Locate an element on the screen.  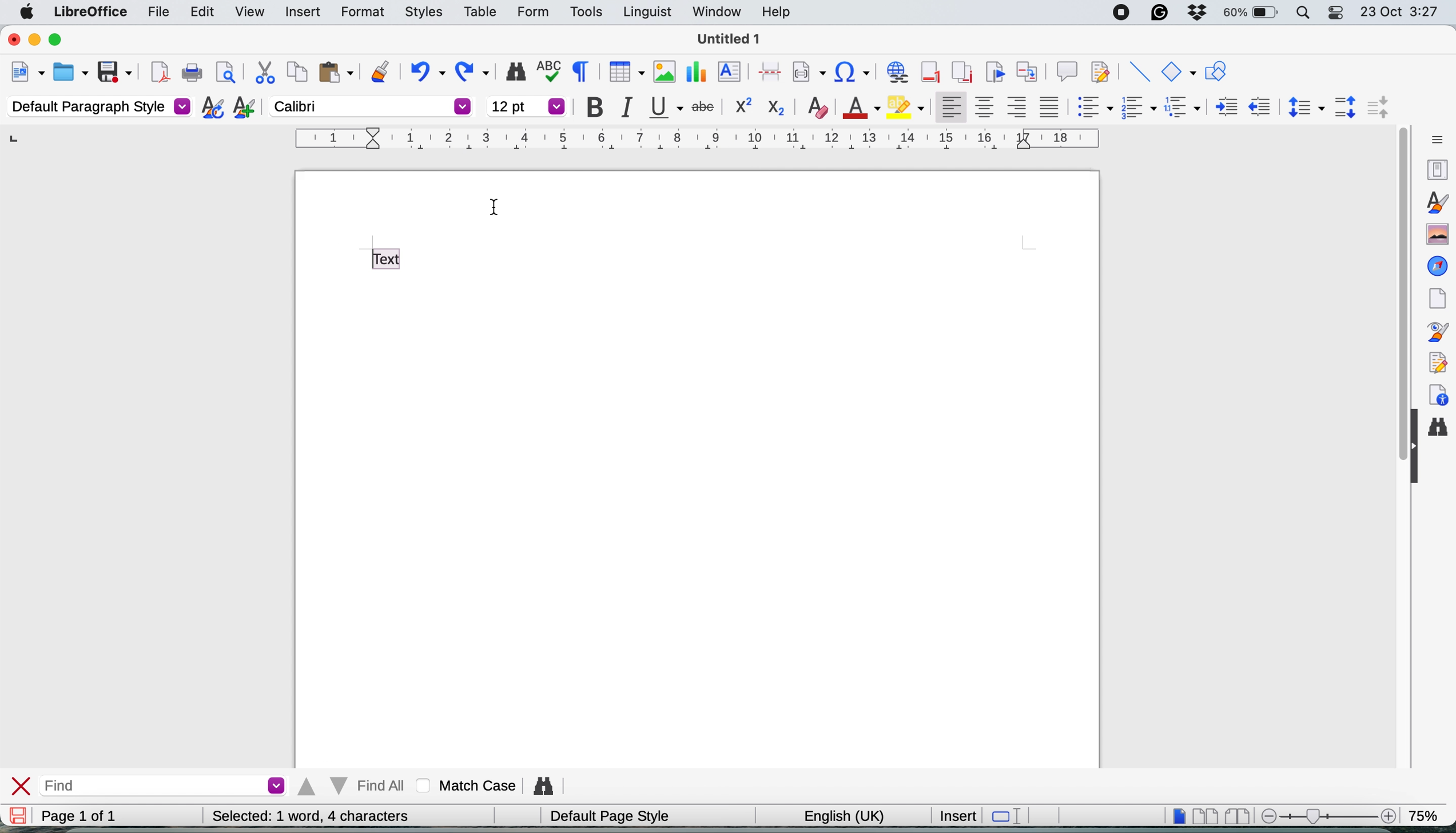
page 1 of 1 is located at coordinates (77, 816).